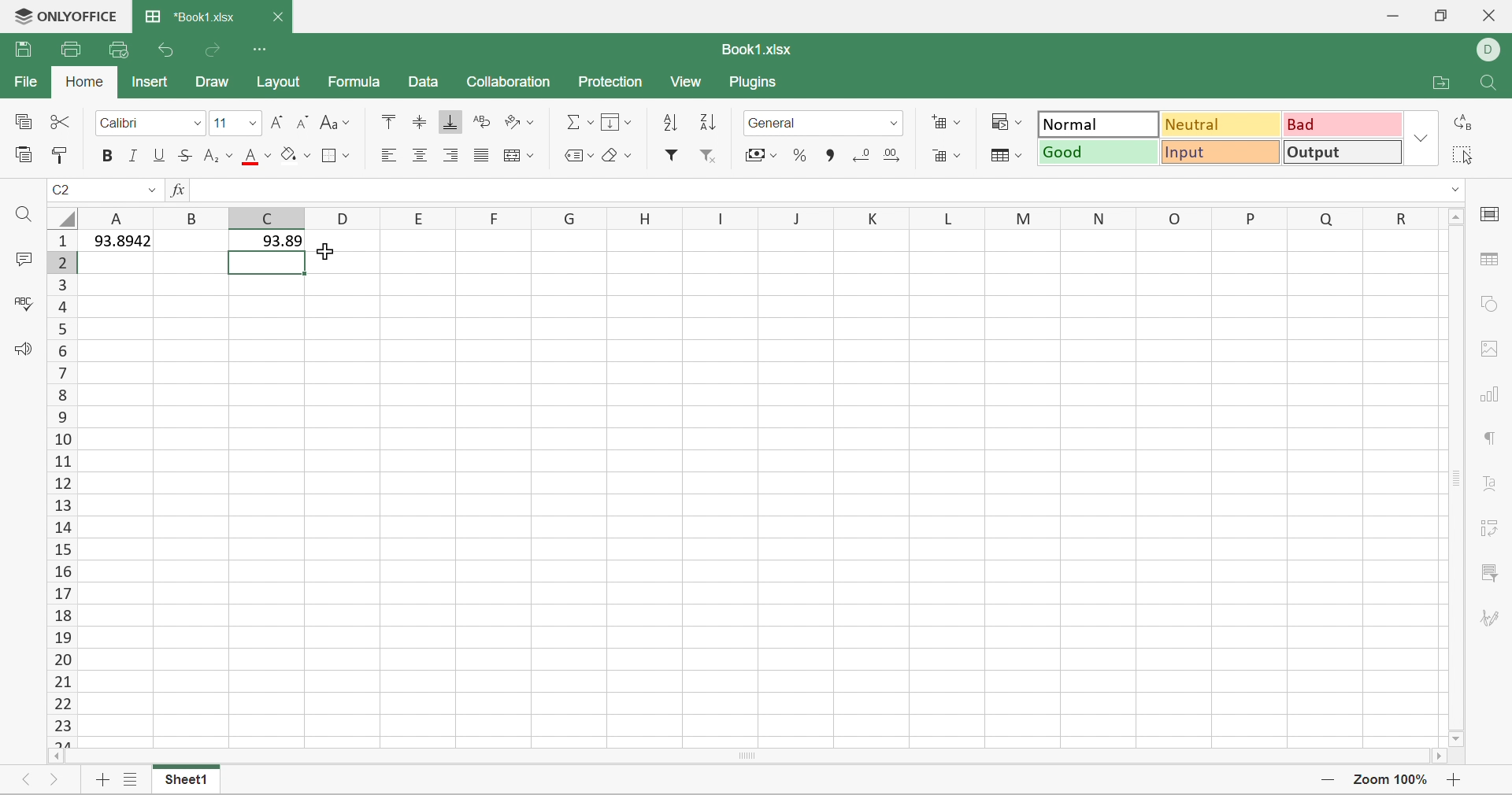  What do you see at coordinates (511, 80) in the screenshot?
I see `Collaboration` at bounding box center [511, 80].